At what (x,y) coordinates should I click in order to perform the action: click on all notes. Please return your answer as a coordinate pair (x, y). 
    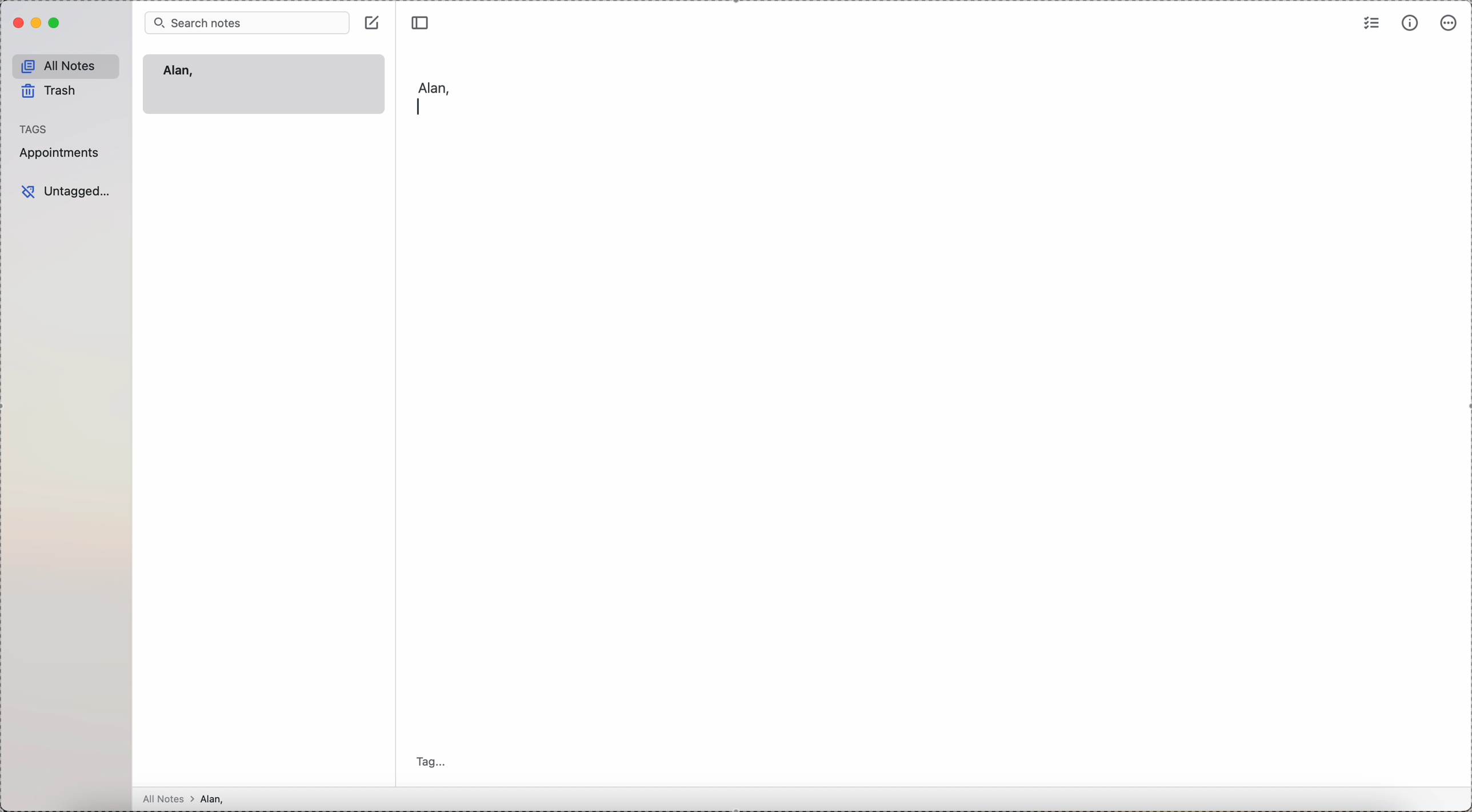
    Looking at the image, I should click on (66, 66).